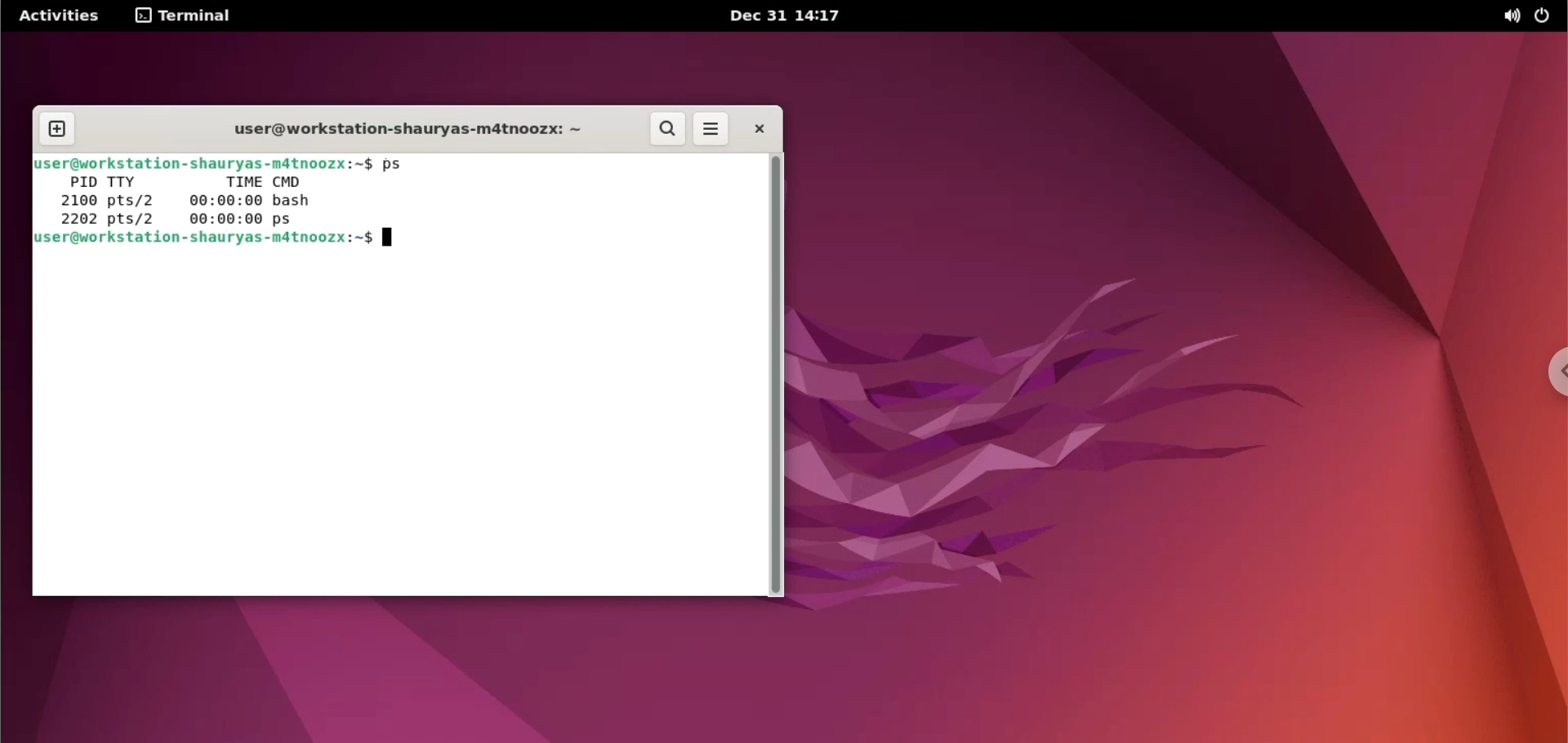 This screenshot has width=1568, height=743. I want to click on power options, so click(1548, 16).